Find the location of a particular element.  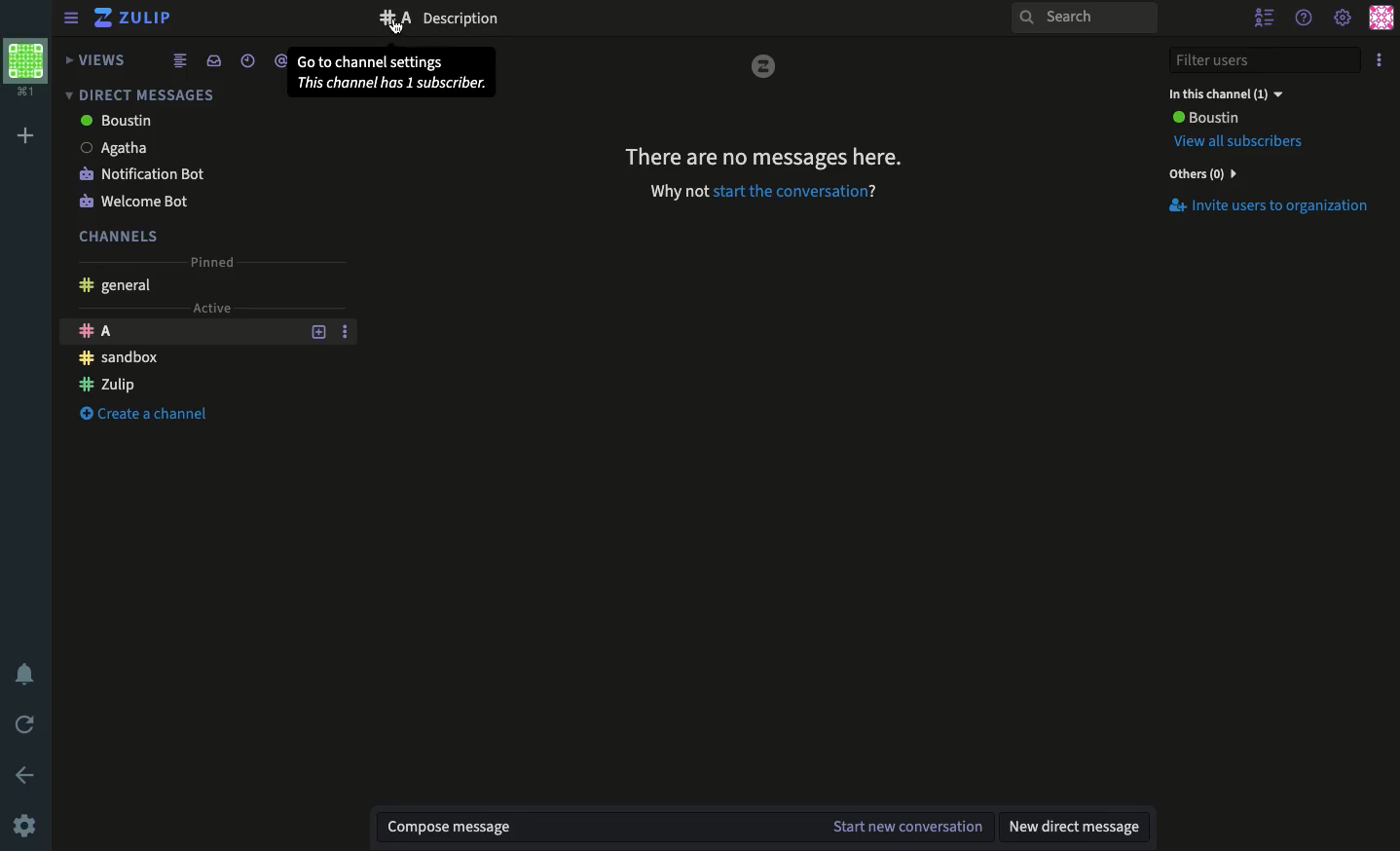

Add is located at coordinates (29, 135).